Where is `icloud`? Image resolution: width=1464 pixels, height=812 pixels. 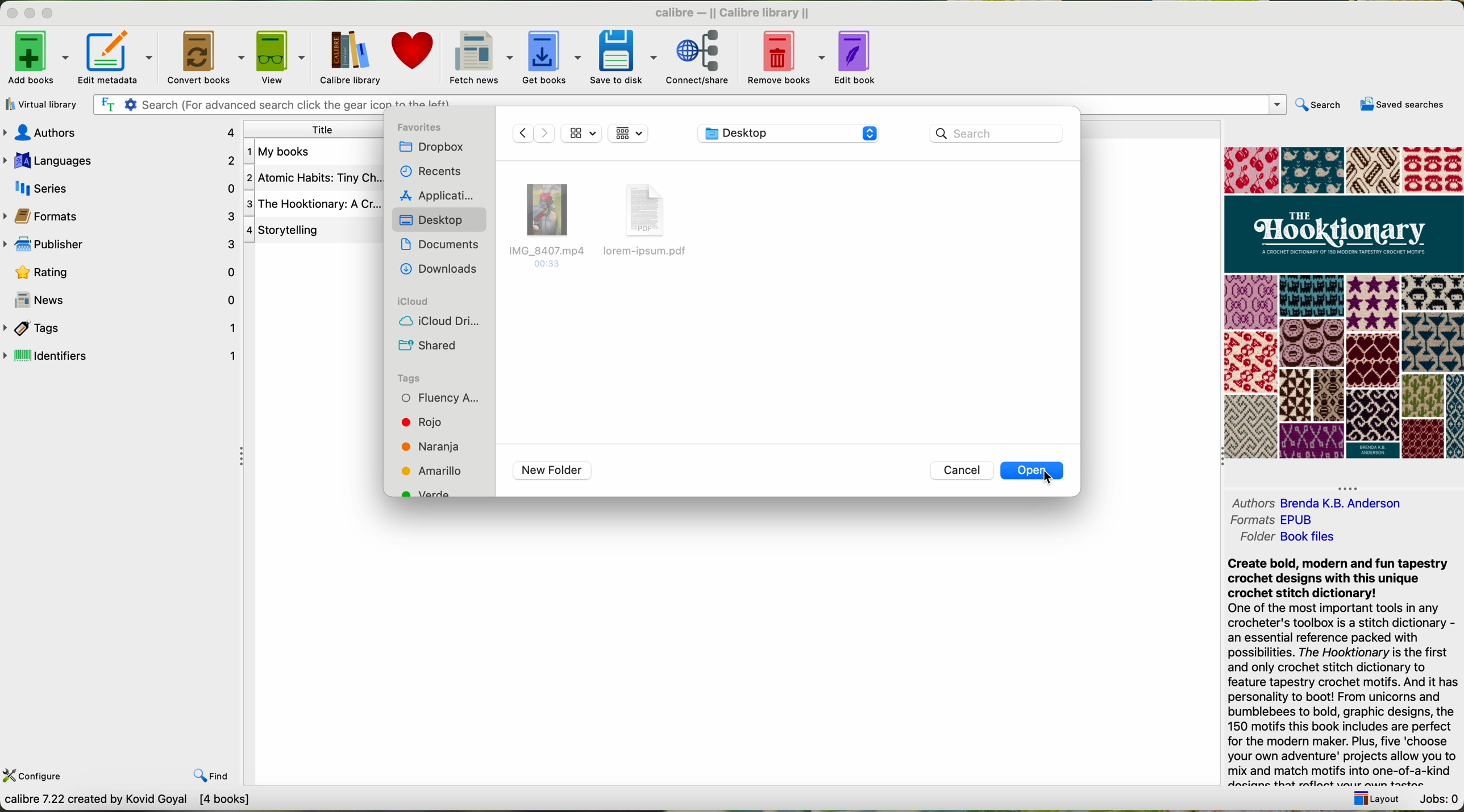 icloud is located at coordinates (411, 300).